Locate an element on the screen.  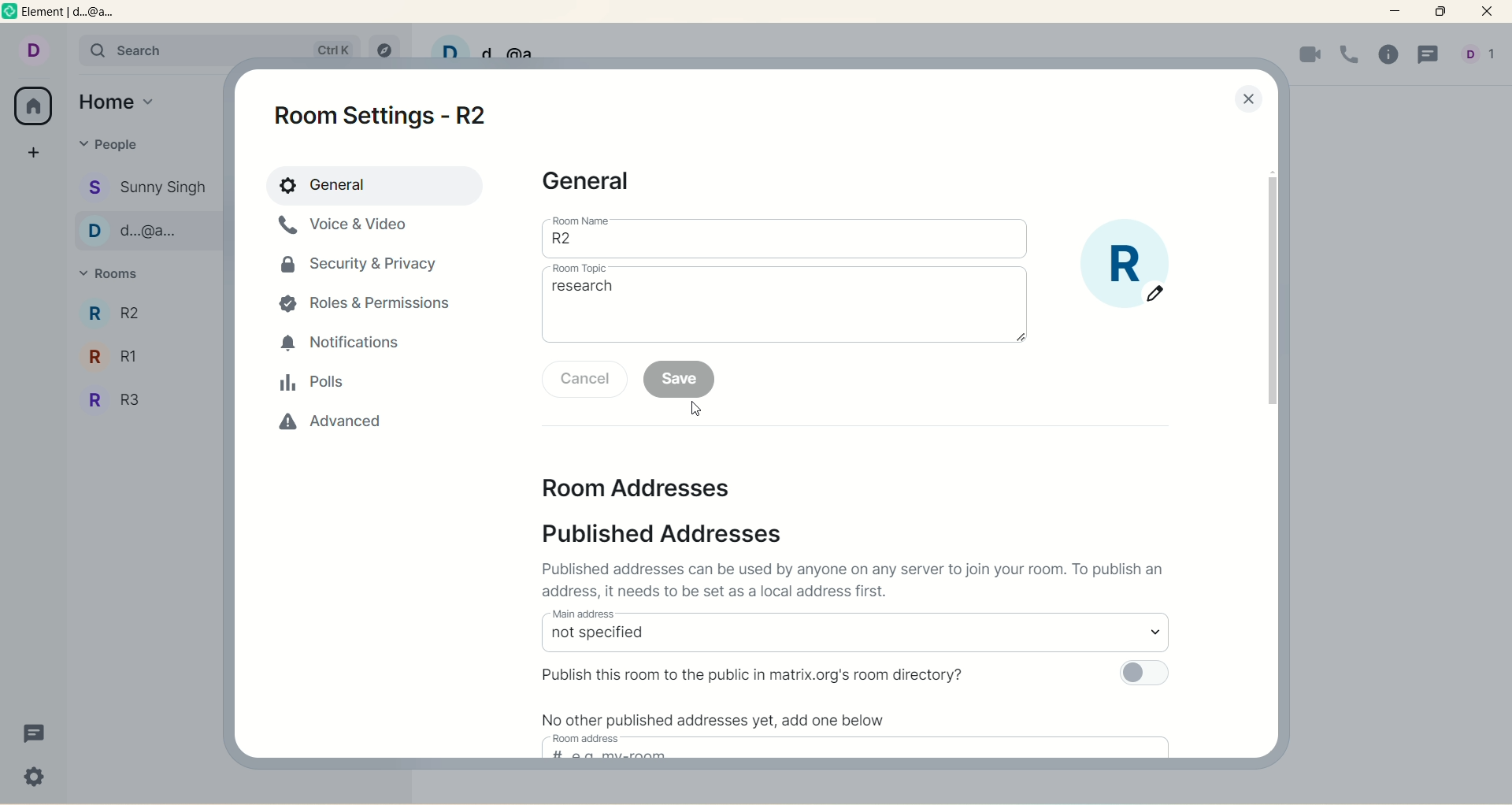
toggle is located at coordinates (1147, 673).